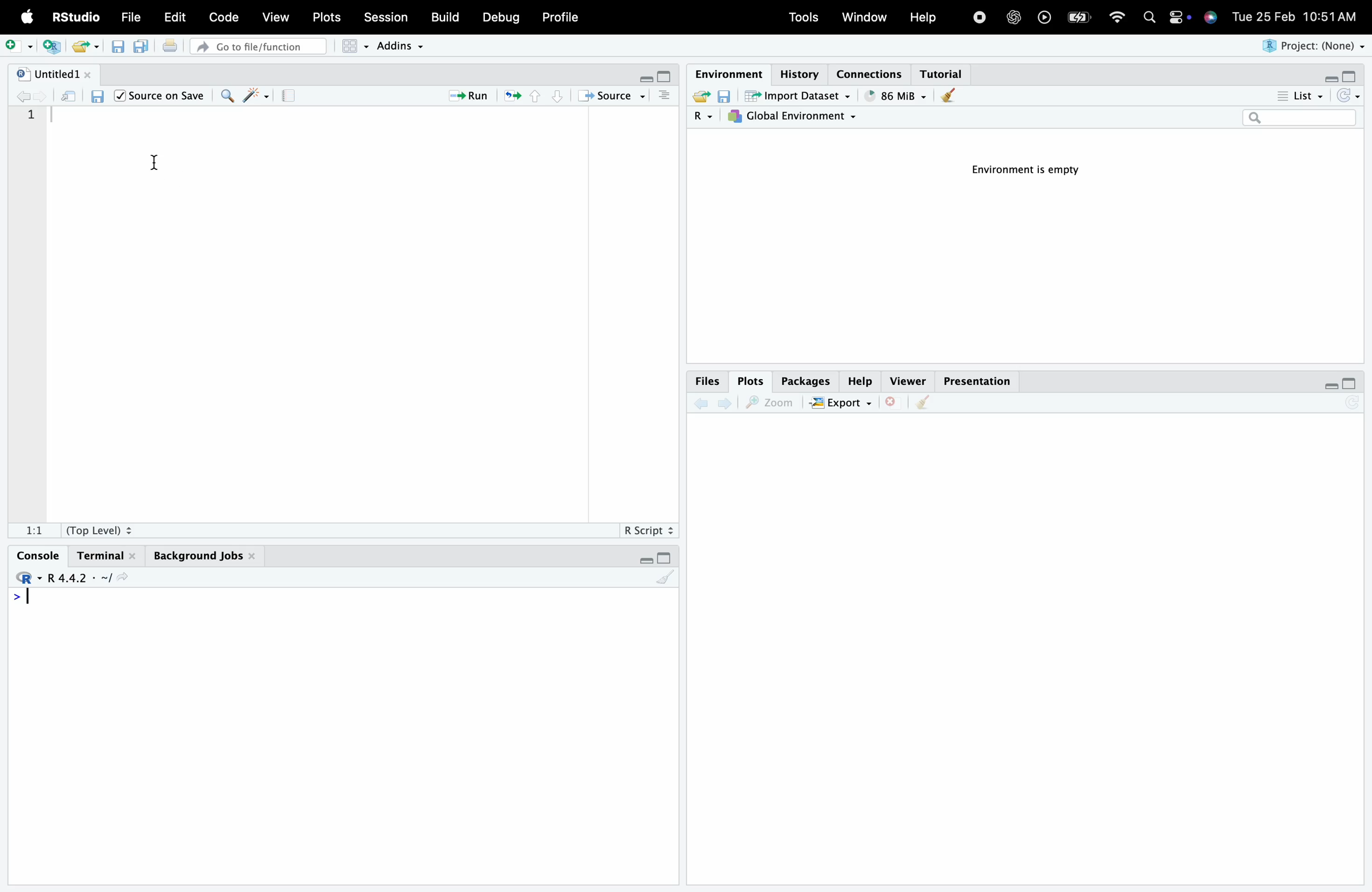 The height and width of the screenshot is (892, 1372). What do you see at coordinates (976, 379) in the screenshot?
I see `Presentation` at bounding box center [976, 379].